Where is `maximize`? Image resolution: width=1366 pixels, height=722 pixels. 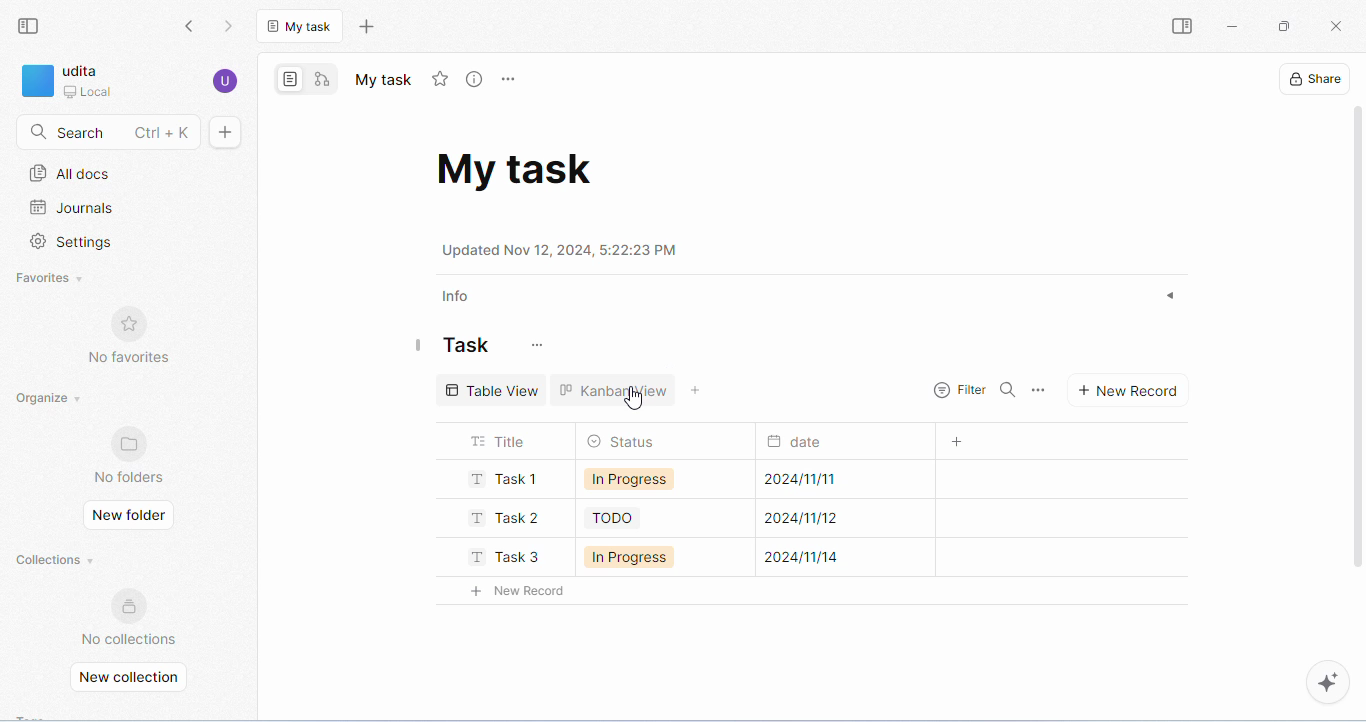 maximize is located at coordinates (1285, 28).